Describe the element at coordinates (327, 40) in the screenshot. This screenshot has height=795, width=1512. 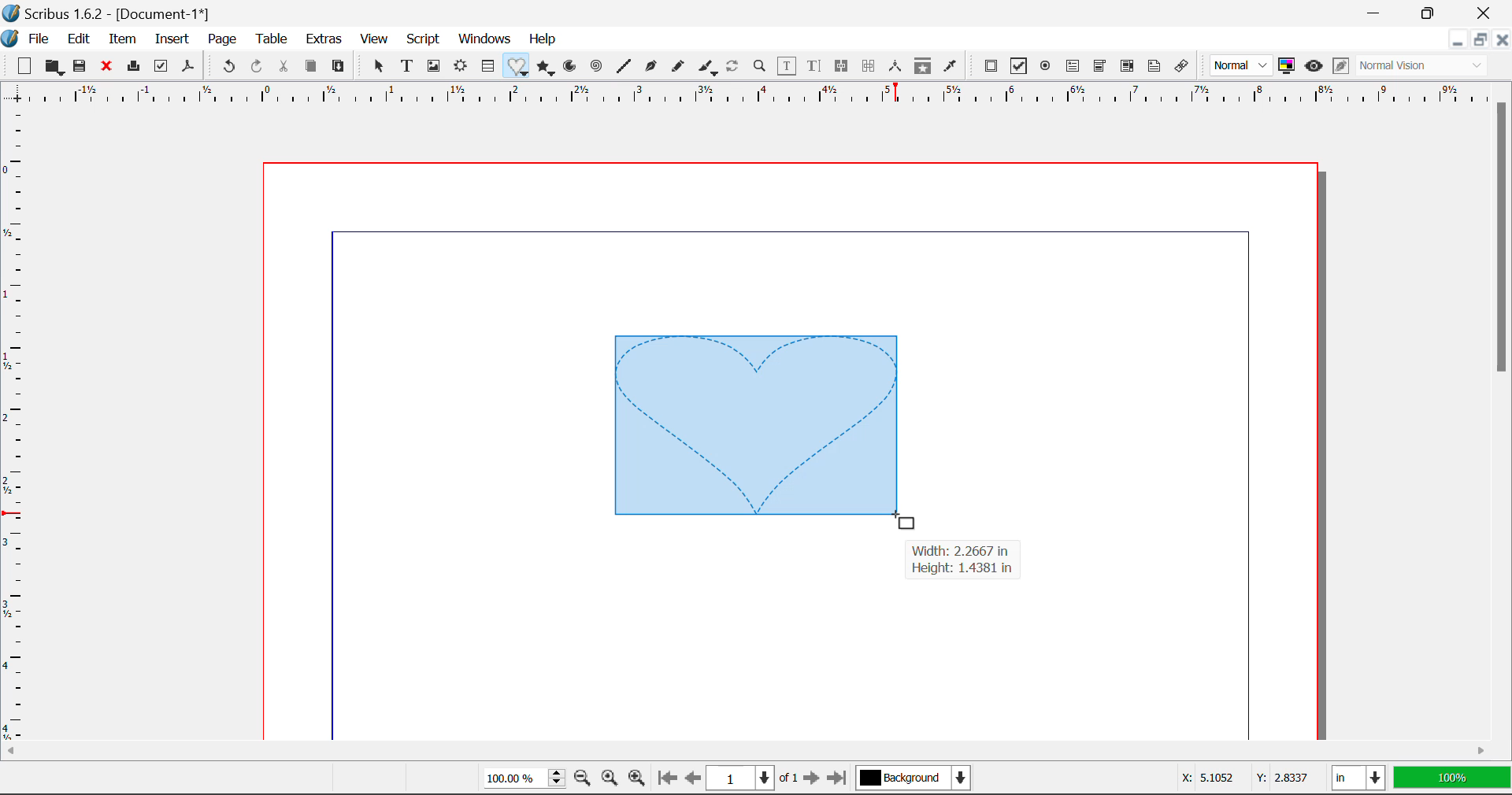
I see `Extras` at that location.